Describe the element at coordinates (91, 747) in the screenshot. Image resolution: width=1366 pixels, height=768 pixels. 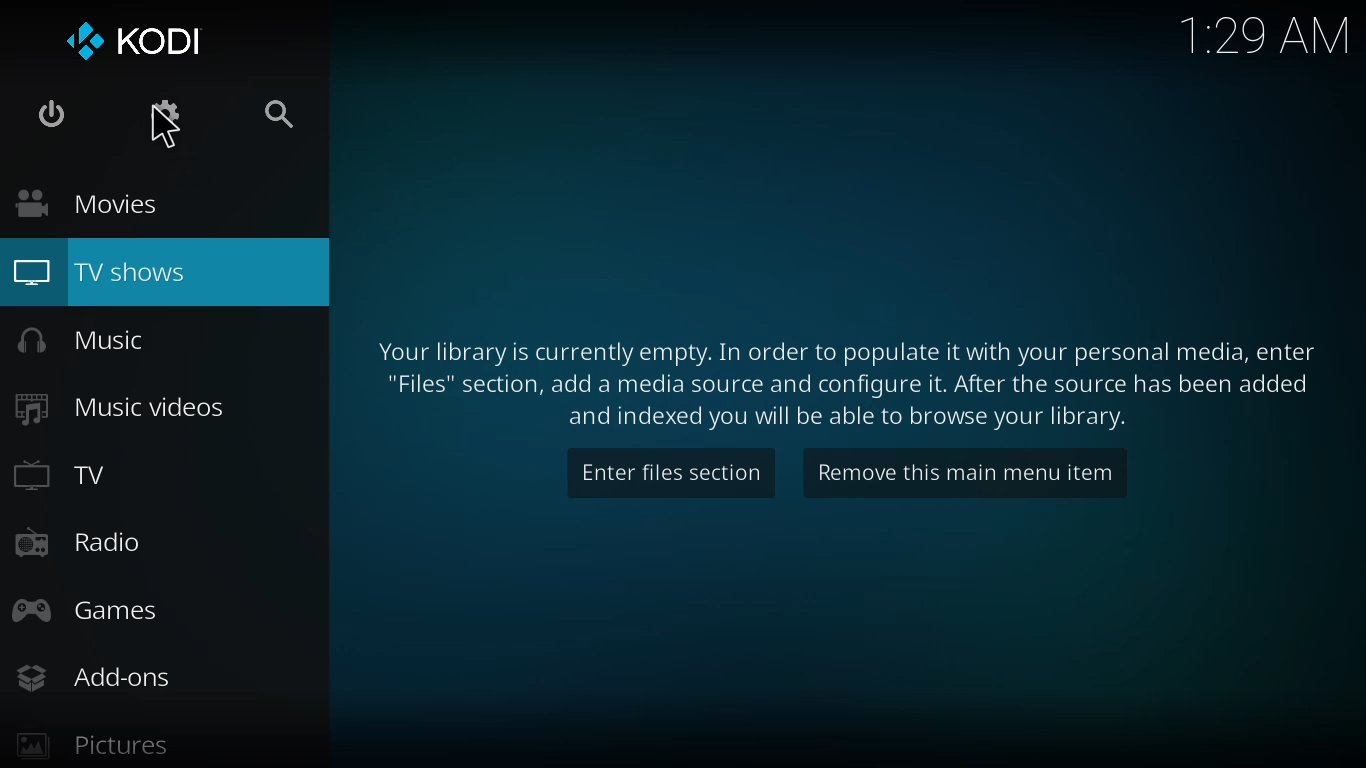
I see `pictures` at that location.